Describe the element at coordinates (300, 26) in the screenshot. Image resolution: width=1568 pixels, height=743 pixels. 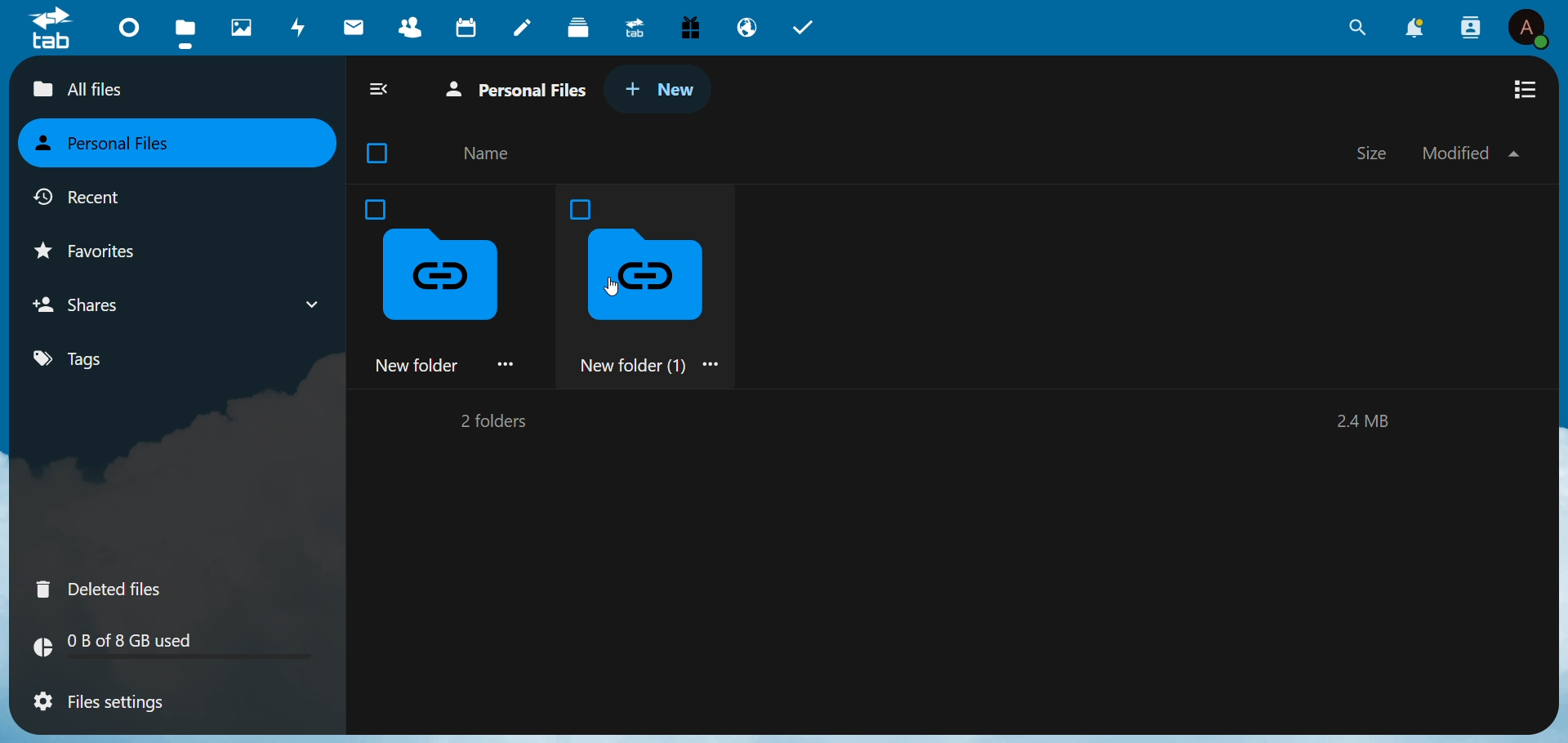
I see `actiivity` at that location.